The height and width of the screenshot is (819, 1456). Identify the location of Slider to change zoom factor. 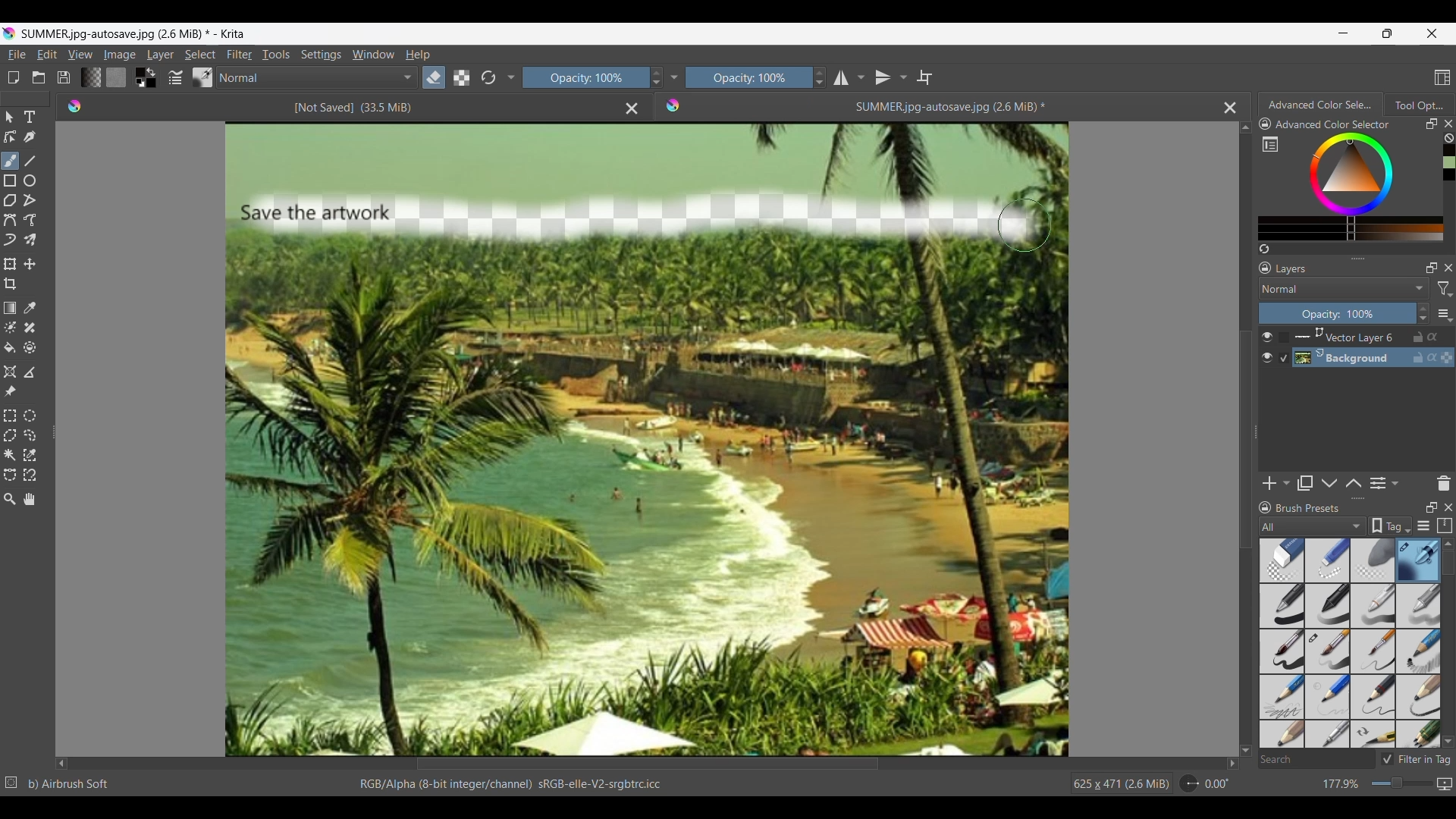
(1402, 783).